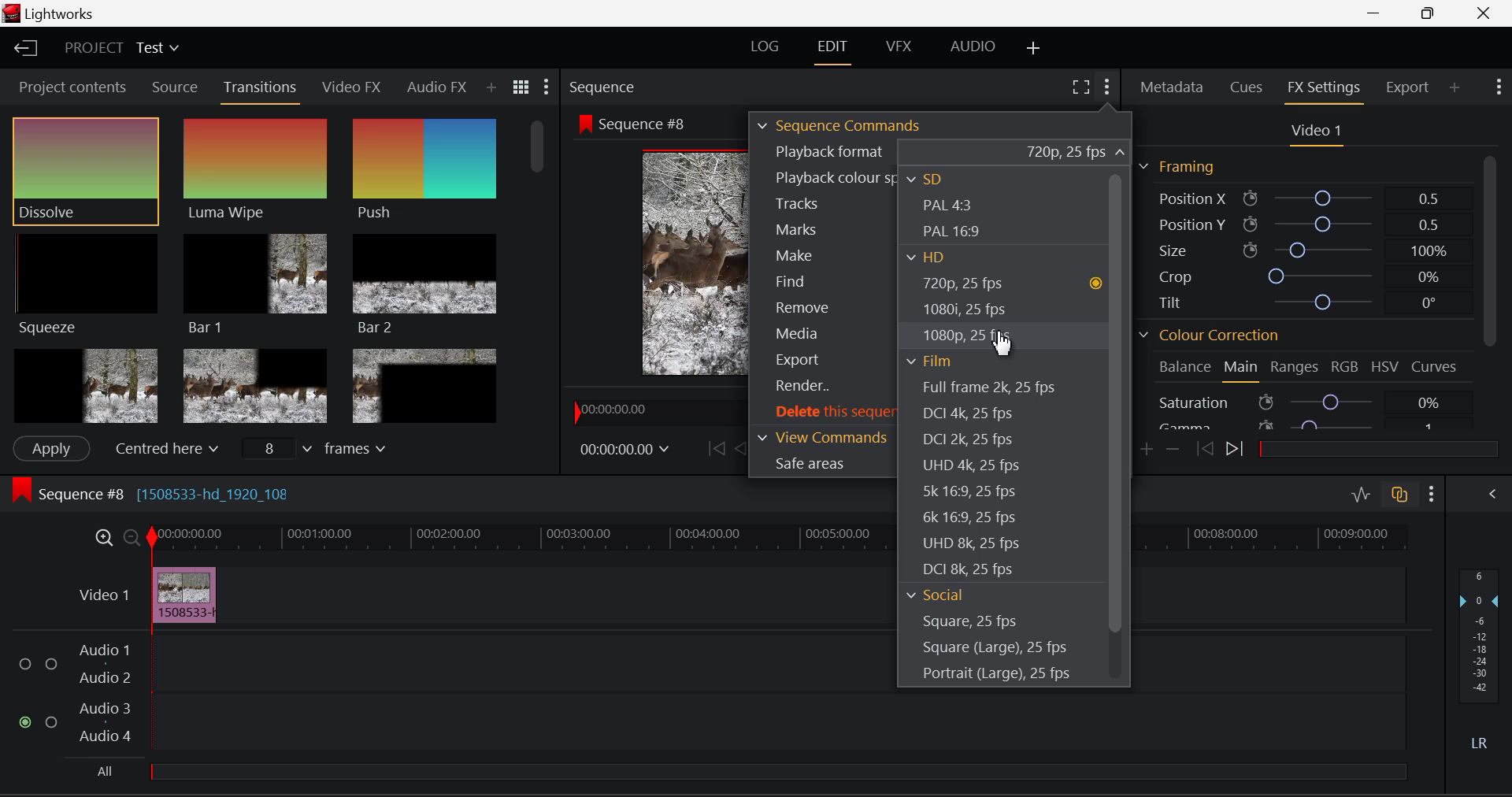  Describe the element at coordinates (1499, 85) in the screenshot. I see `Show Settings` at that location.